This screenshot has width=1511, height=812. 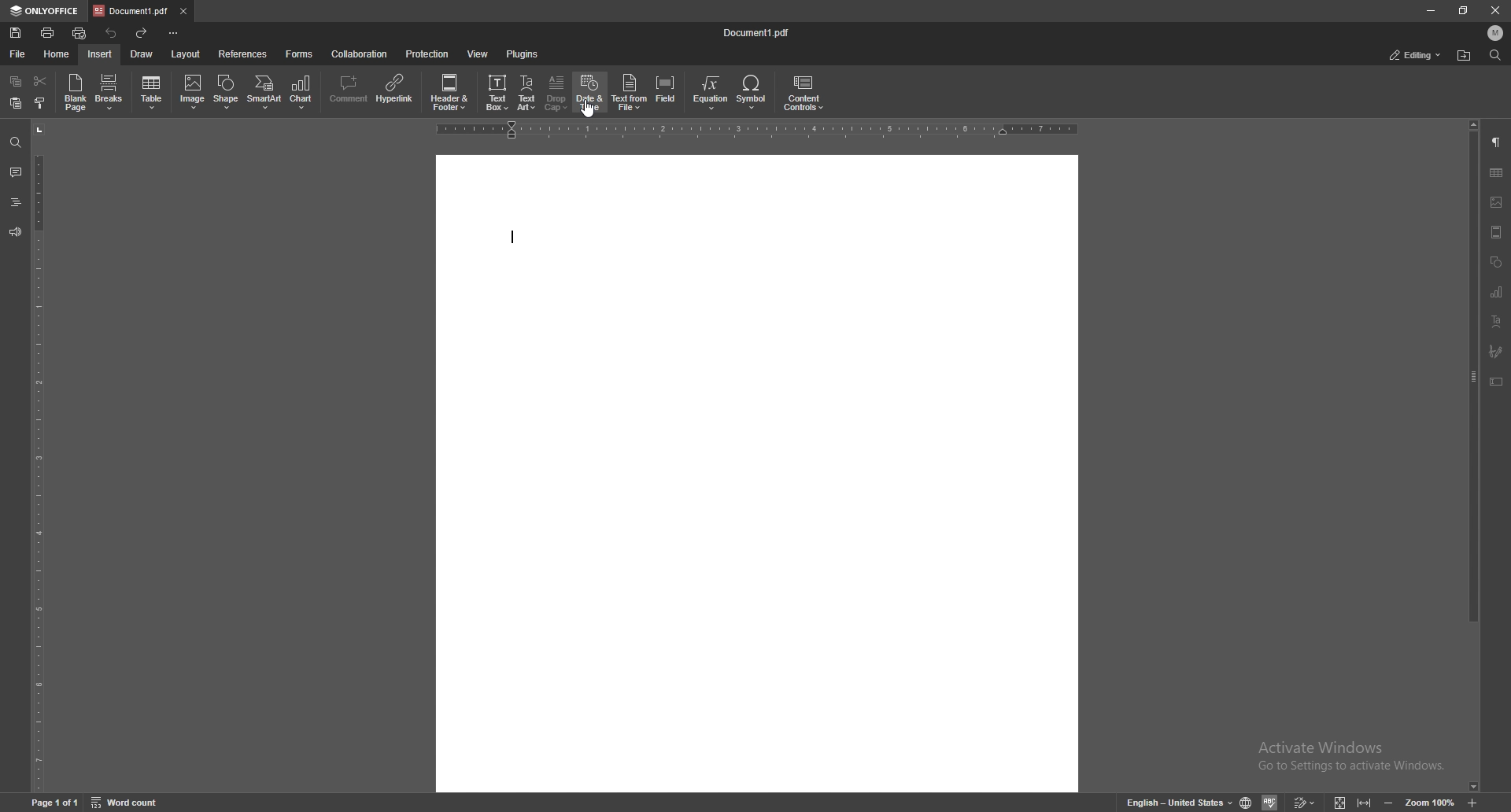 What do you see at coordinates (359, 54) in the screenshot?
I see `collaboration` at bounding box center [359, 54].